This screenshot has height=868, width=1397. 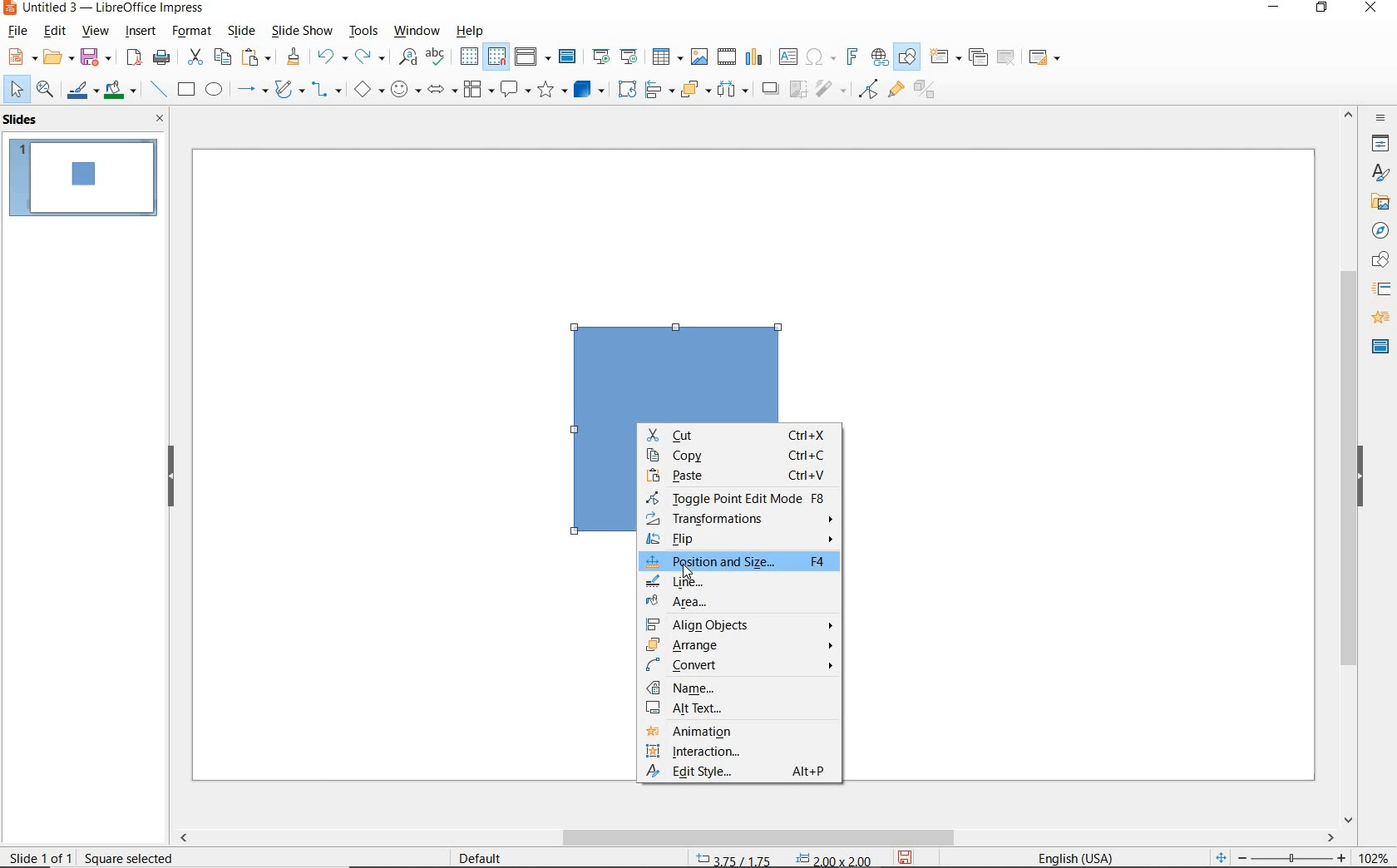 What do you see at coordinates (215, 89) in the screenshot?
I see `ellipse` at bounding box center [215, 89].